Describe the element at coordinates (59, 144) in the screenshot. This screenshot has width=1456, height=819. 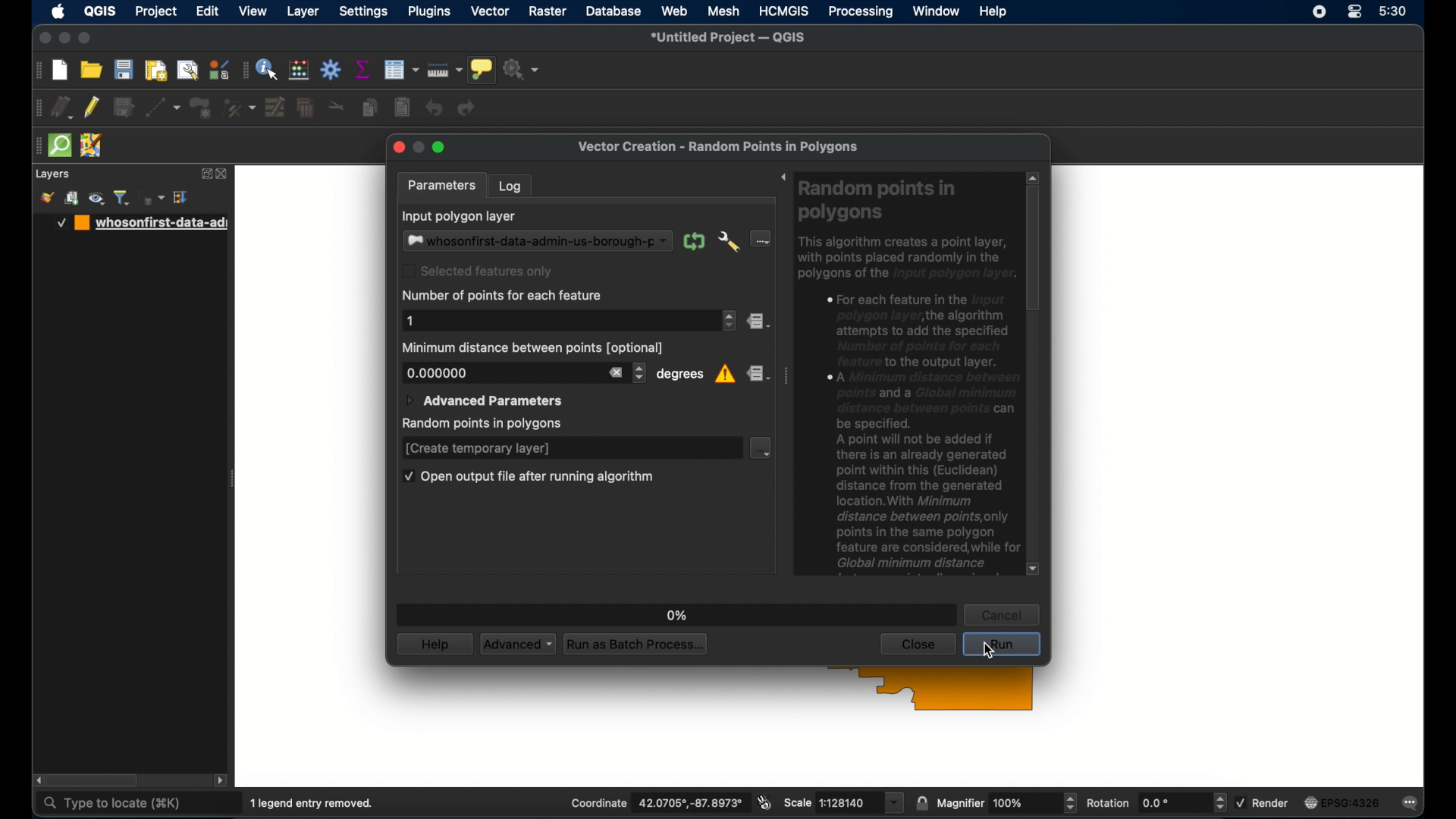
I see `quick osm` at that location.